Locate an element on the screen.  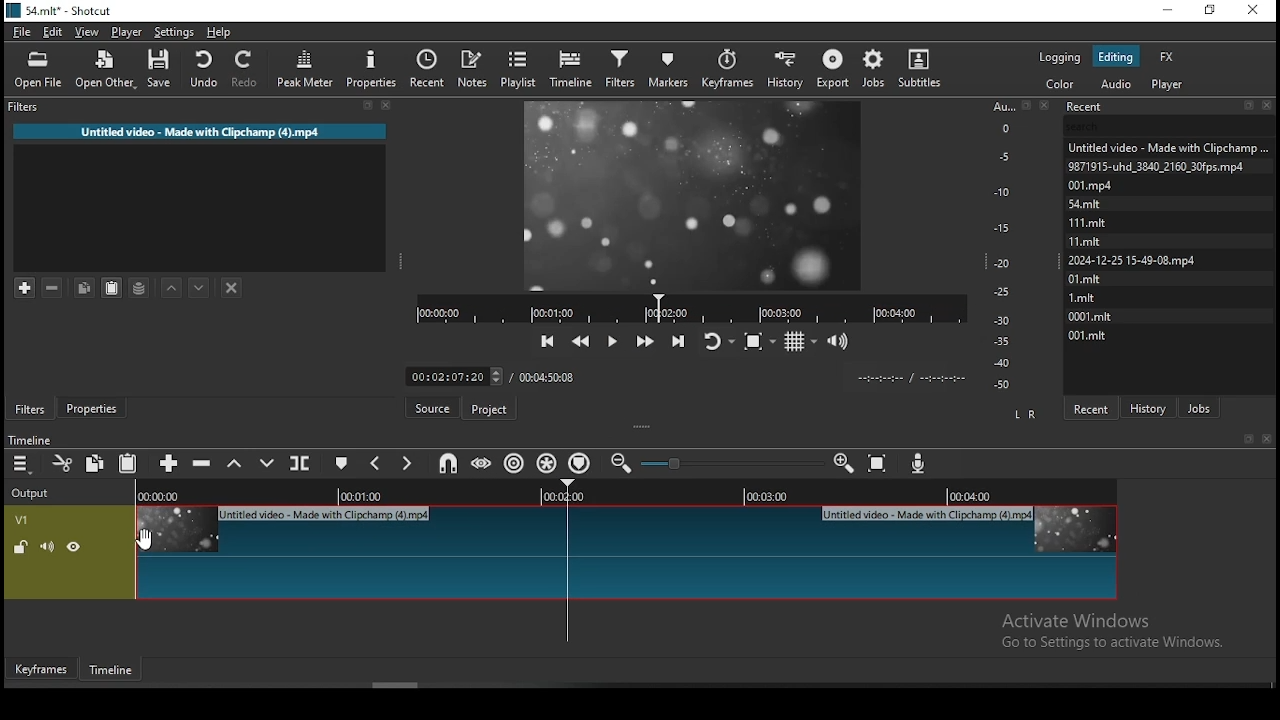
files is located at coordinates (1084, 239).